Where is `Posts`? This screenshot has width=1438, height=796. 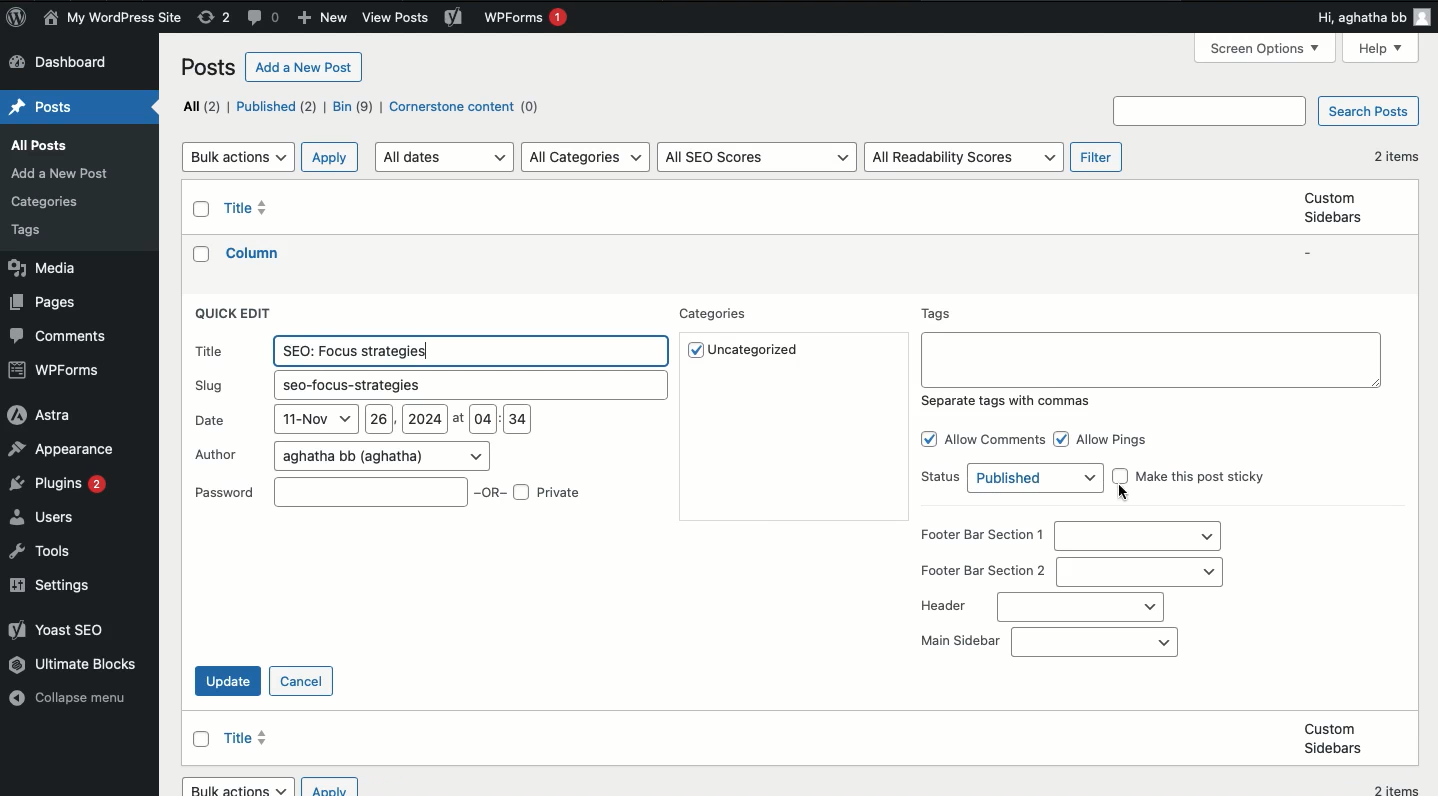
Posts is located at coordinates (48, 202).